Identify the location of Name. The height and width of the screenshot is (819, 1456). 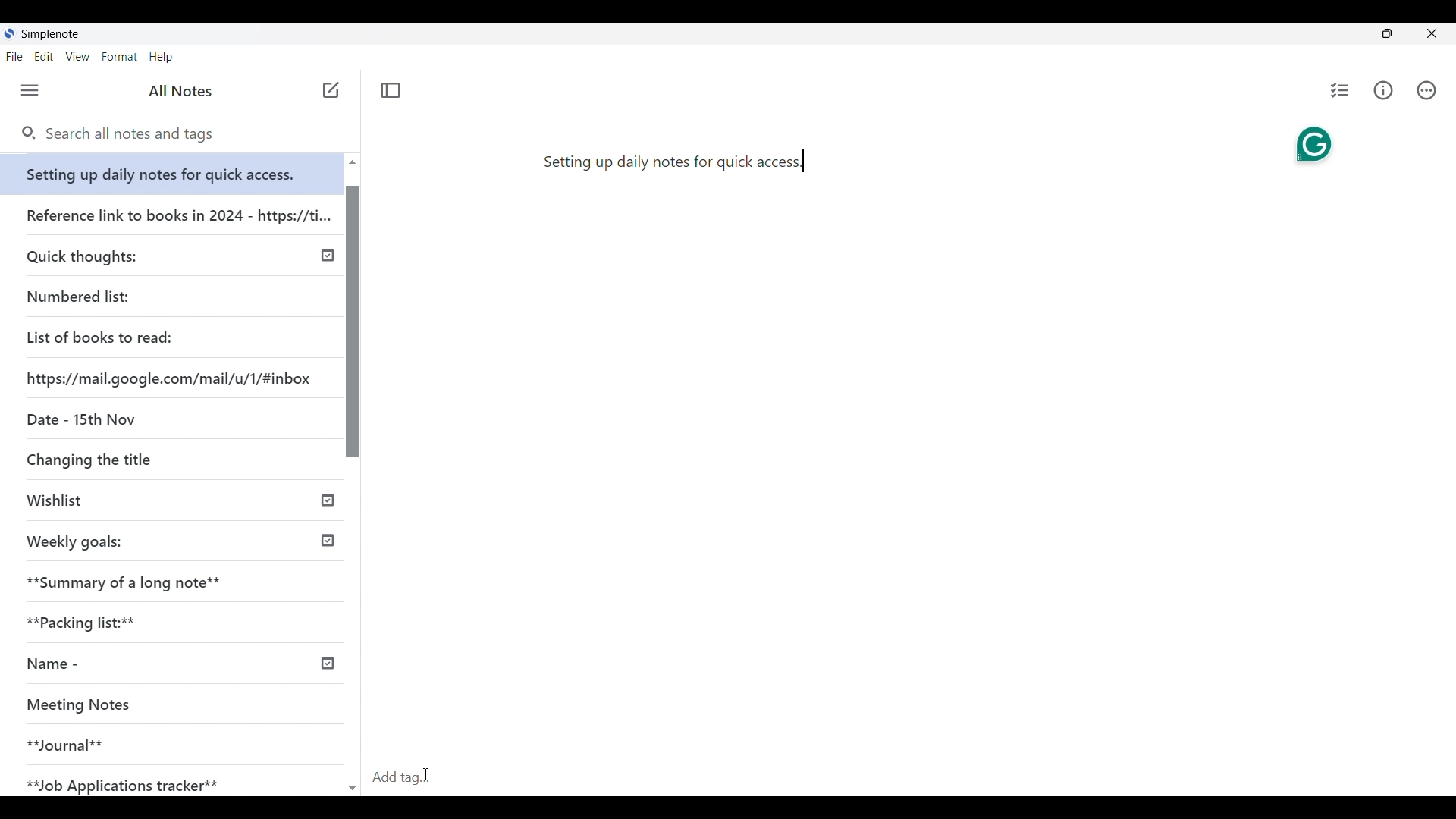
(108, 664).